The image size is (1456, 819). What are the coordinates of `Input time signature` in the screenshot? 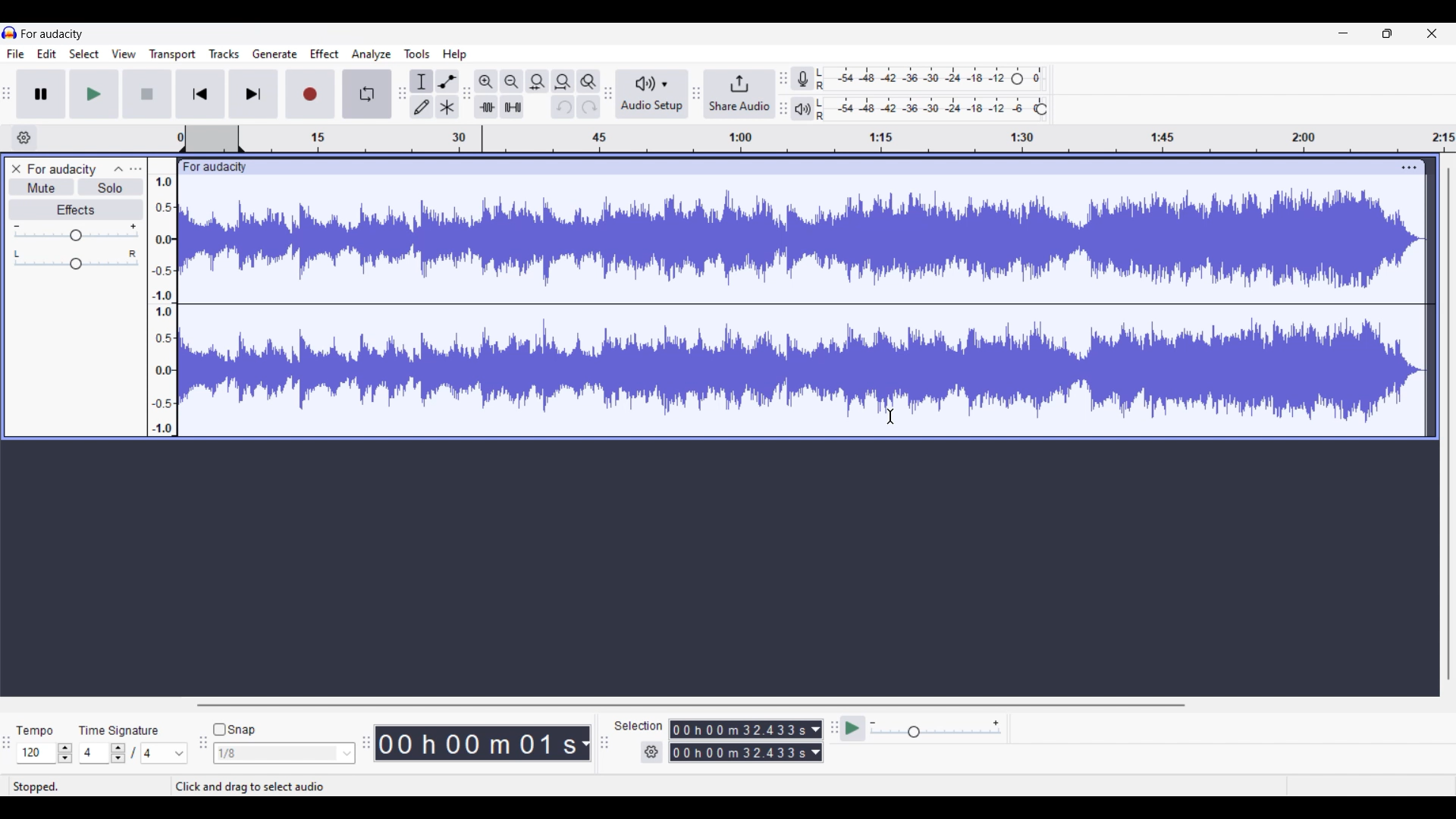 It's located at (94, 753).